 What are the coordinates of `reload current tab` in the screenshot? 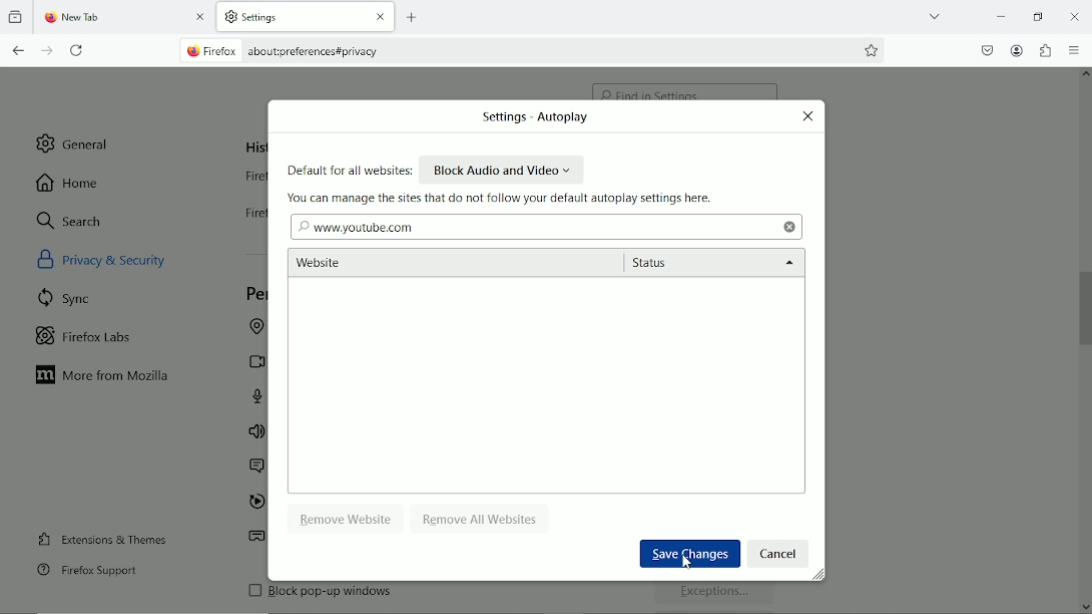 It's located at (78, 51).